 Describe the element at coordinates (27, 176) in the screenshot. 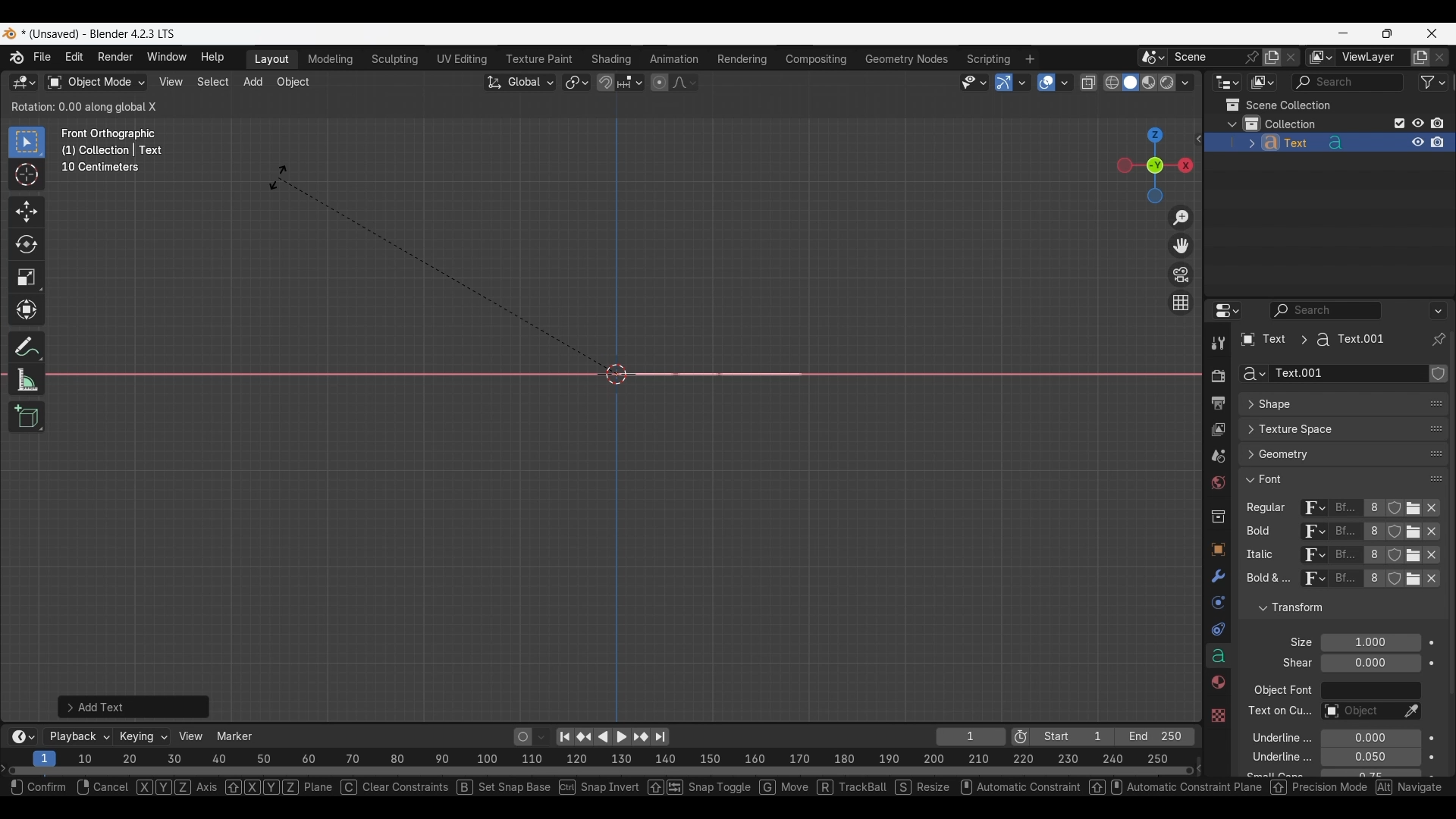

I see `Cursor` at that location.